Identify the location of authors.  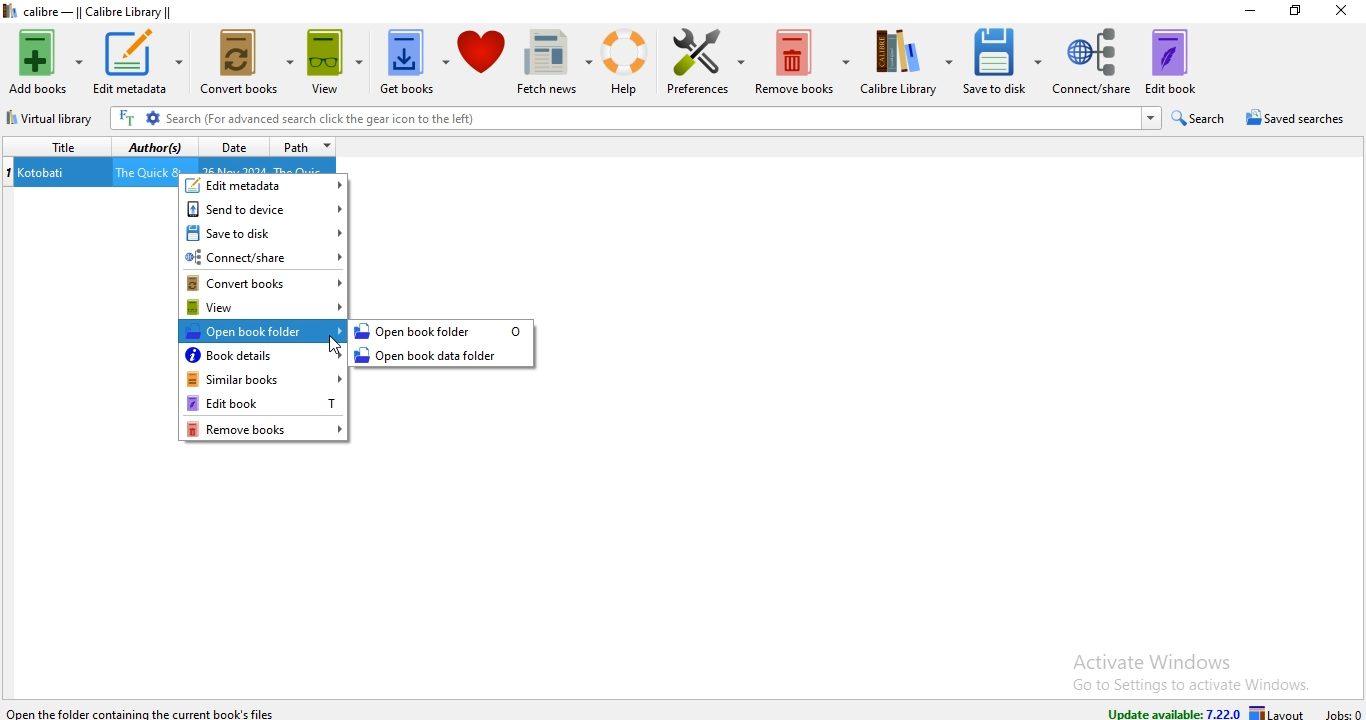
(154, 147).